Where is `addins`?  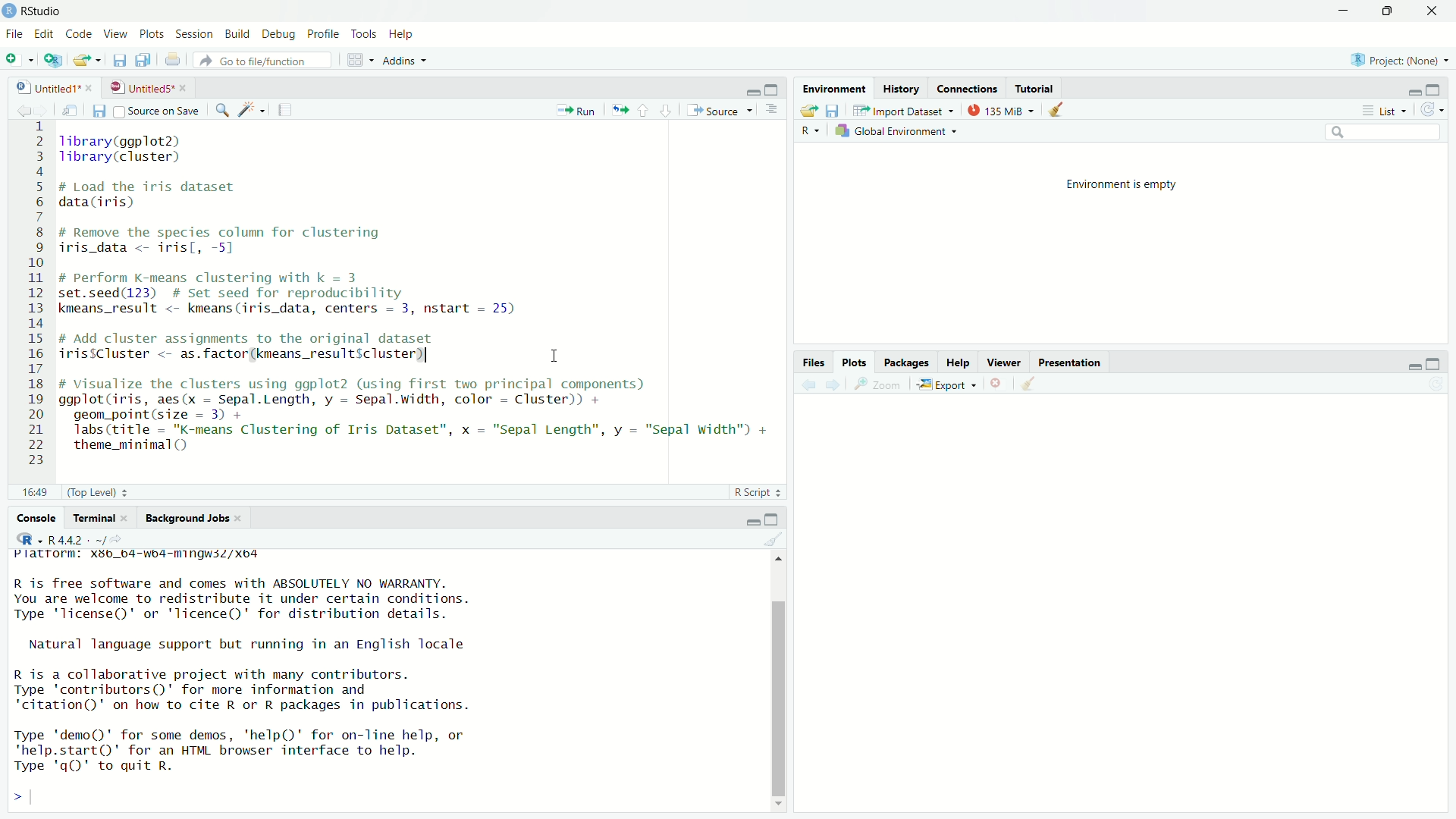
addins is located at coordinates (404, 60).